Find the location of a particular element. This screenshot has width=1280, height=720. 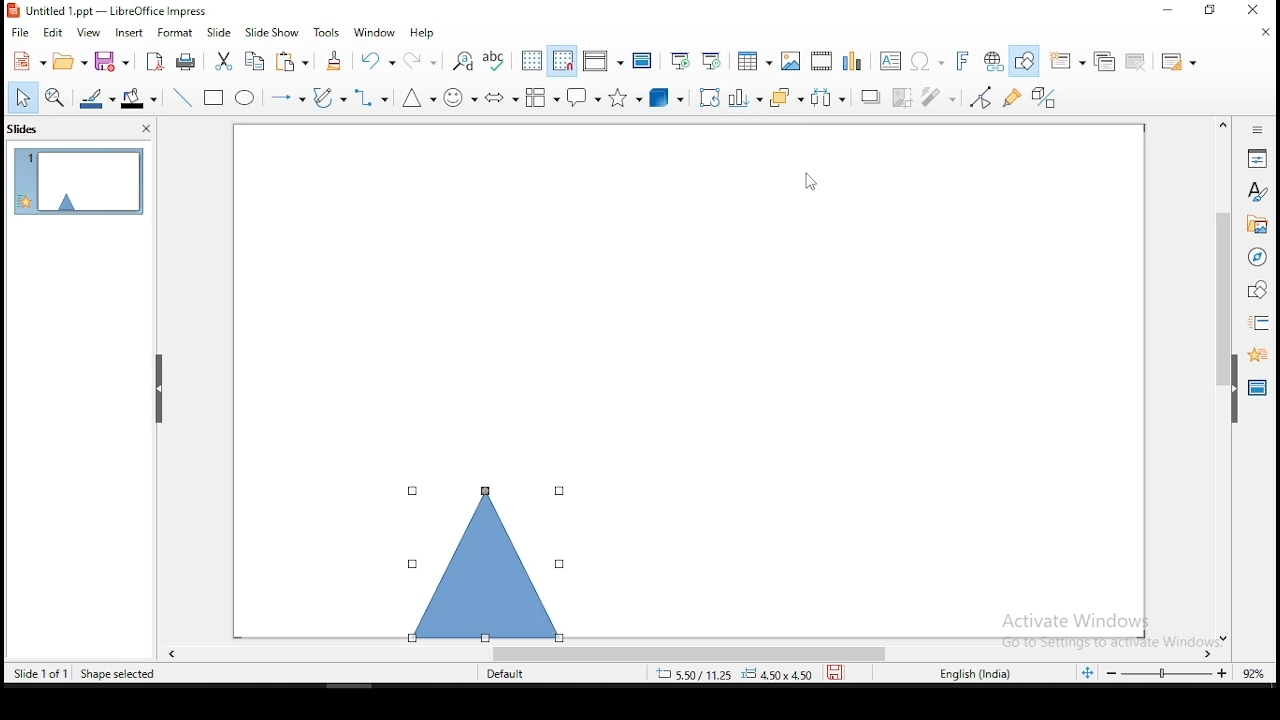

6.9 / -0.26 is located at coordinates (690, 676).